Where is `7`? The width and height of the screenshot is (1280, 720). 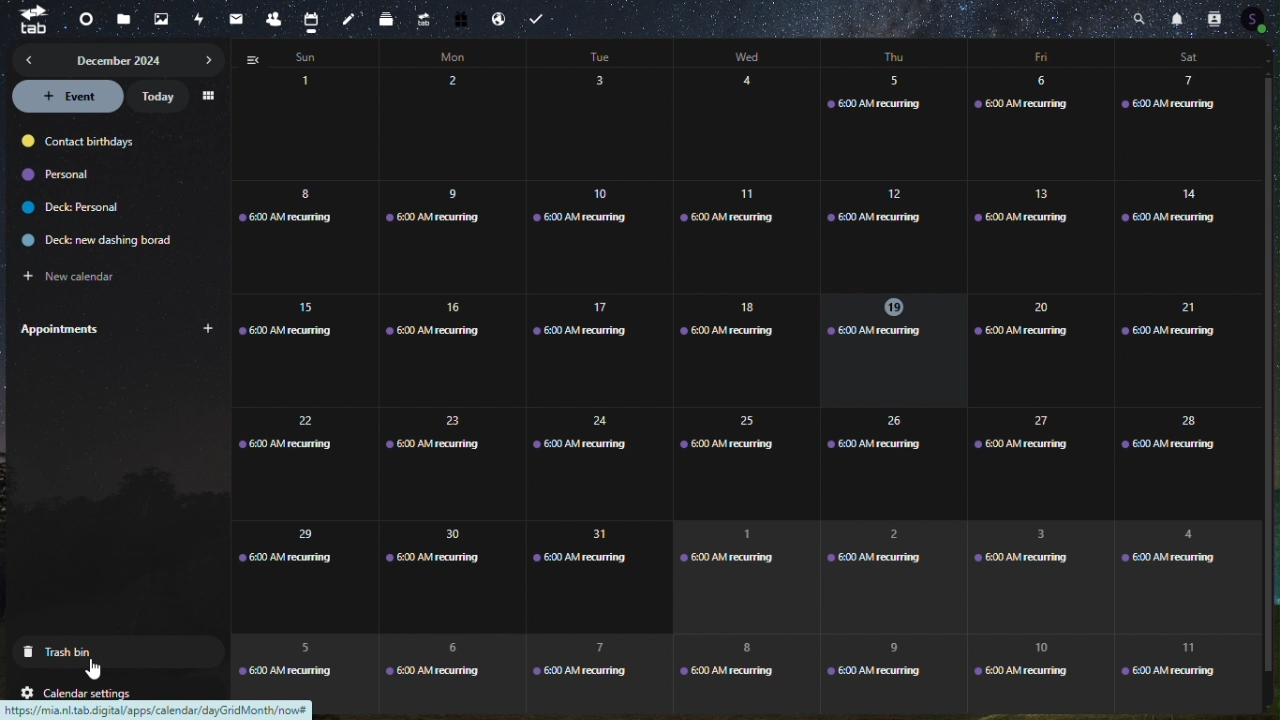
7 is located at coordinates (1190, 128).